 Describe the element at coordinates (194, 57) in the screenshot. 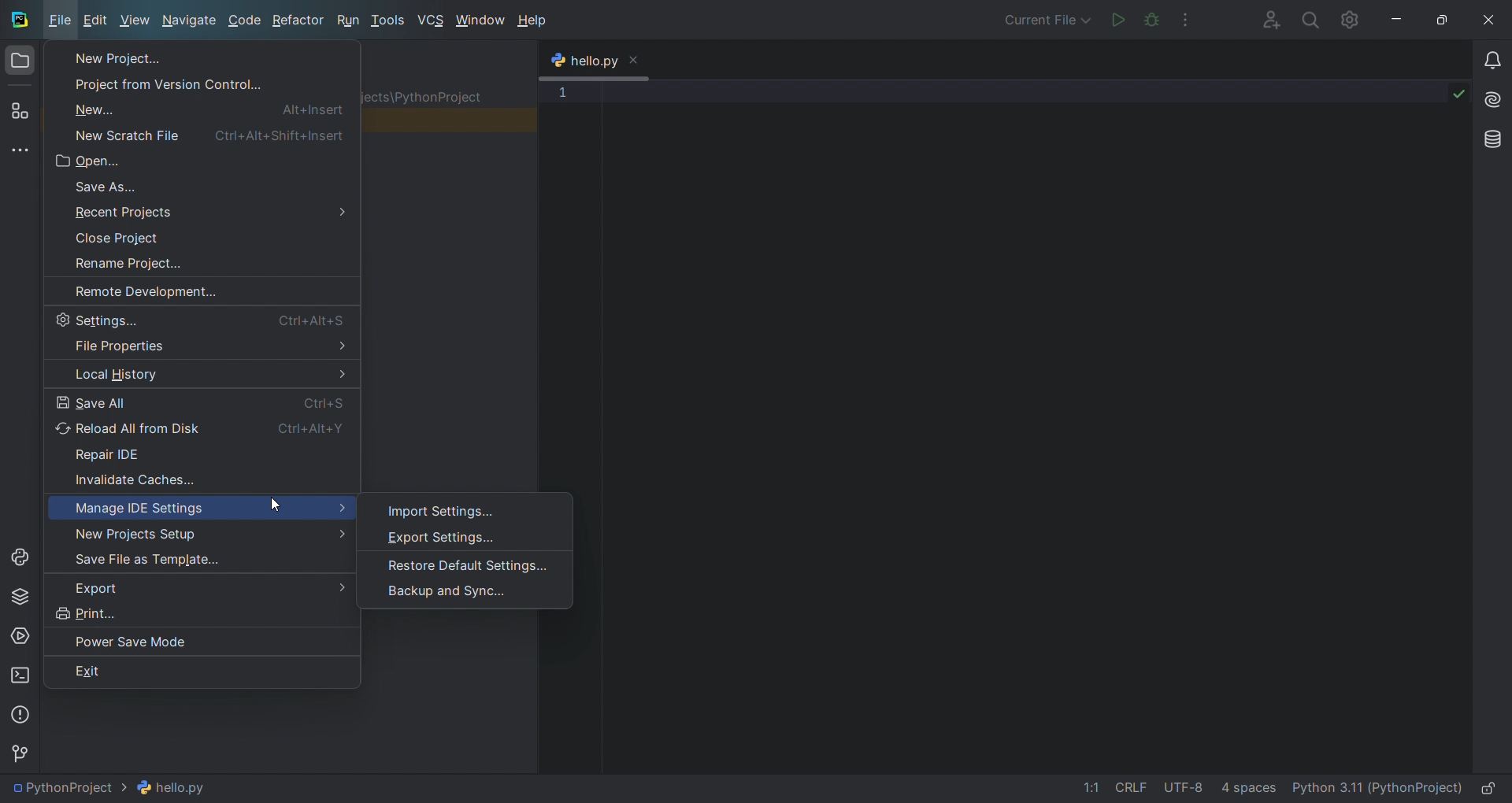

I see `new project` at that location.